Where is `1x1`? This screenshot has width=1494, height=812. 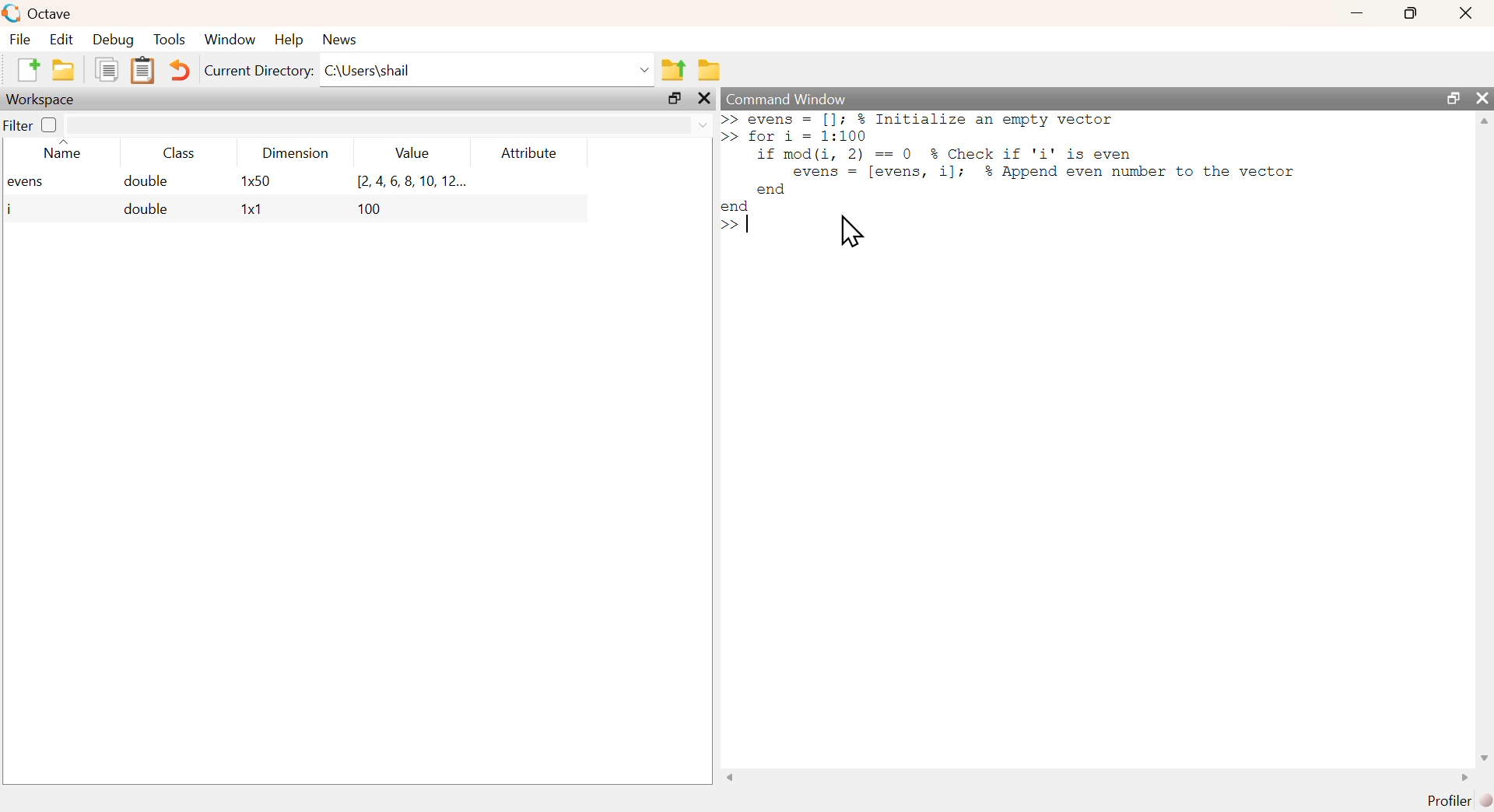 1x1 is located at coordinates (251, 211).